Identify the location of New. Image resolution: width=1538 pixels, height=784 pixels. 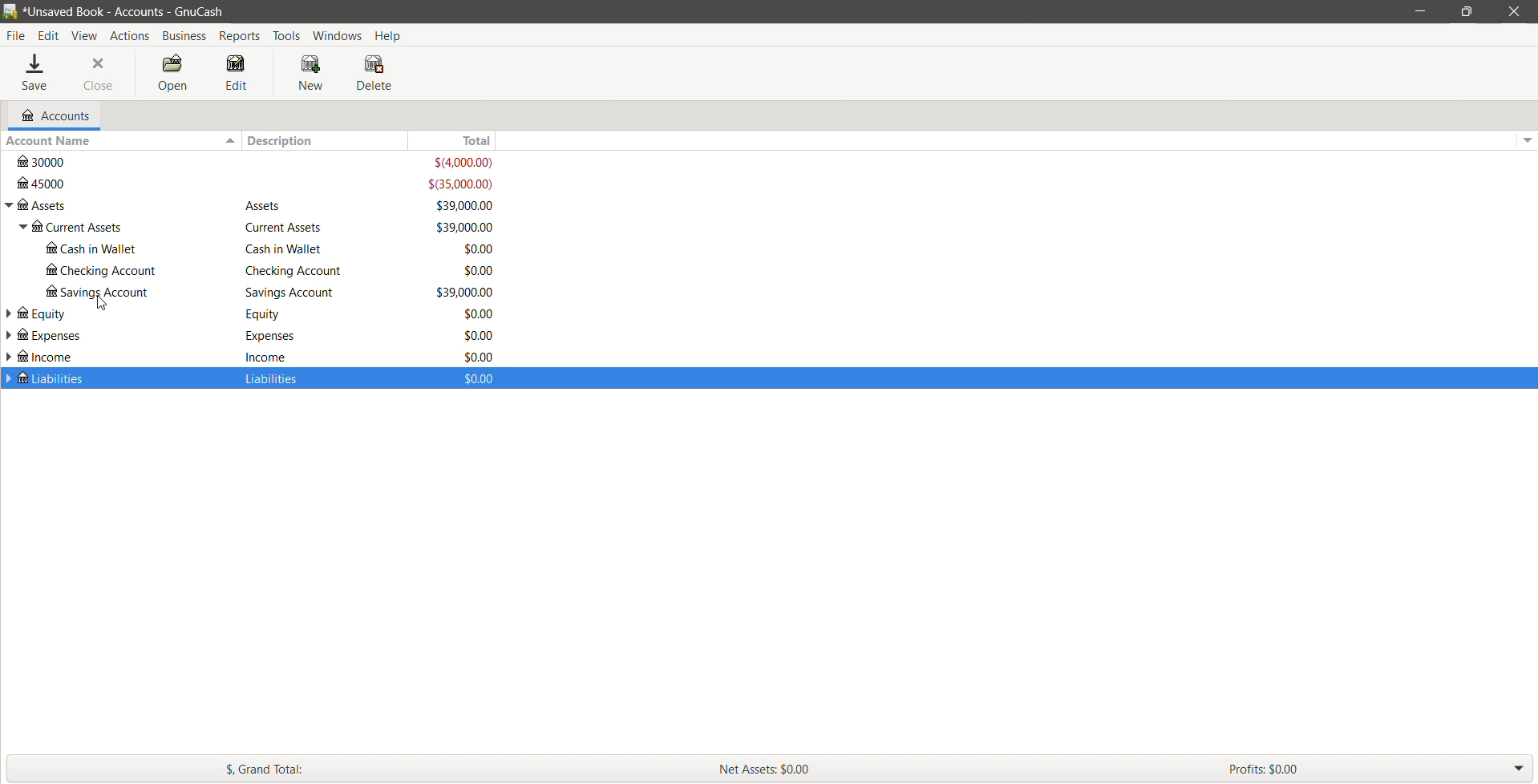
(311, 72).